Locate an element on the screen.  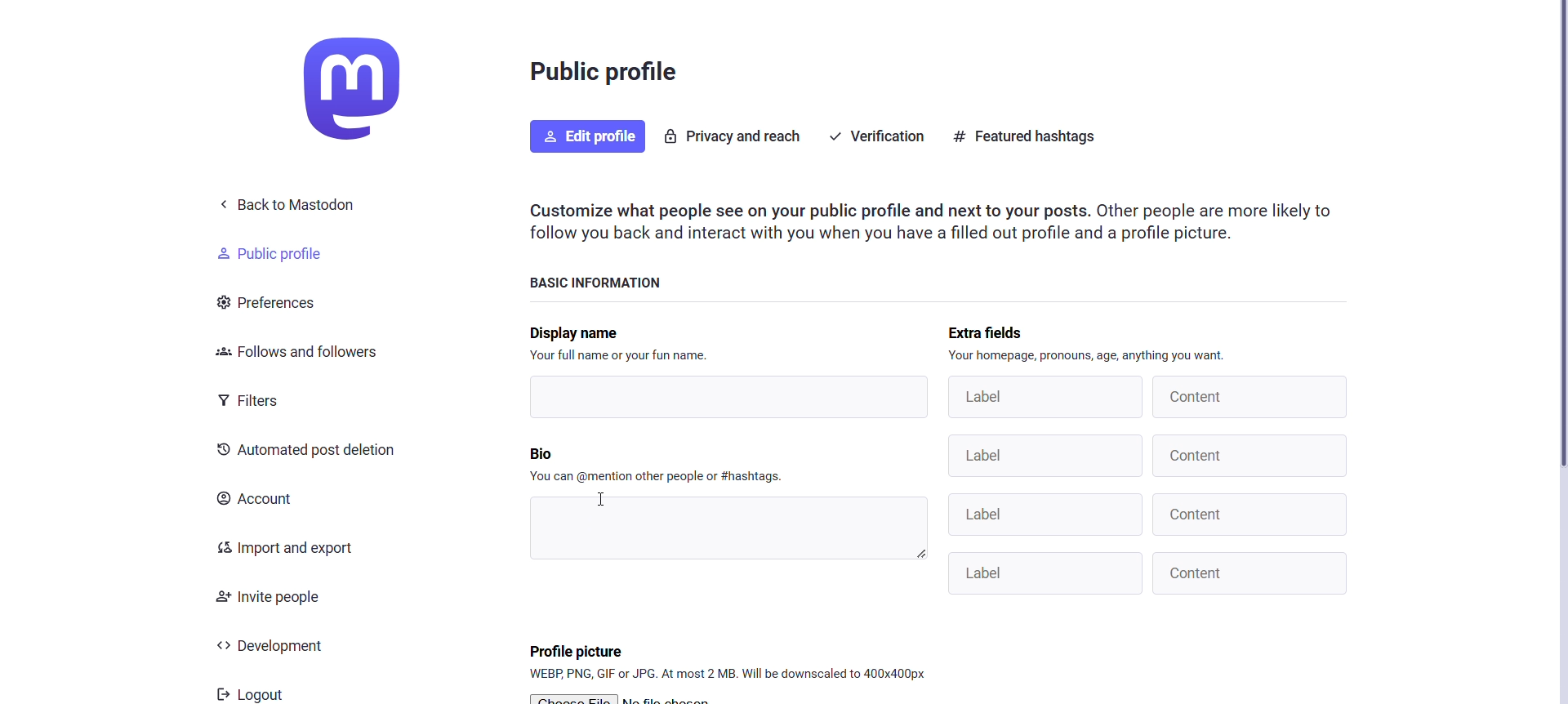
Automated Post Deletion is located at coordinates (308, 452).